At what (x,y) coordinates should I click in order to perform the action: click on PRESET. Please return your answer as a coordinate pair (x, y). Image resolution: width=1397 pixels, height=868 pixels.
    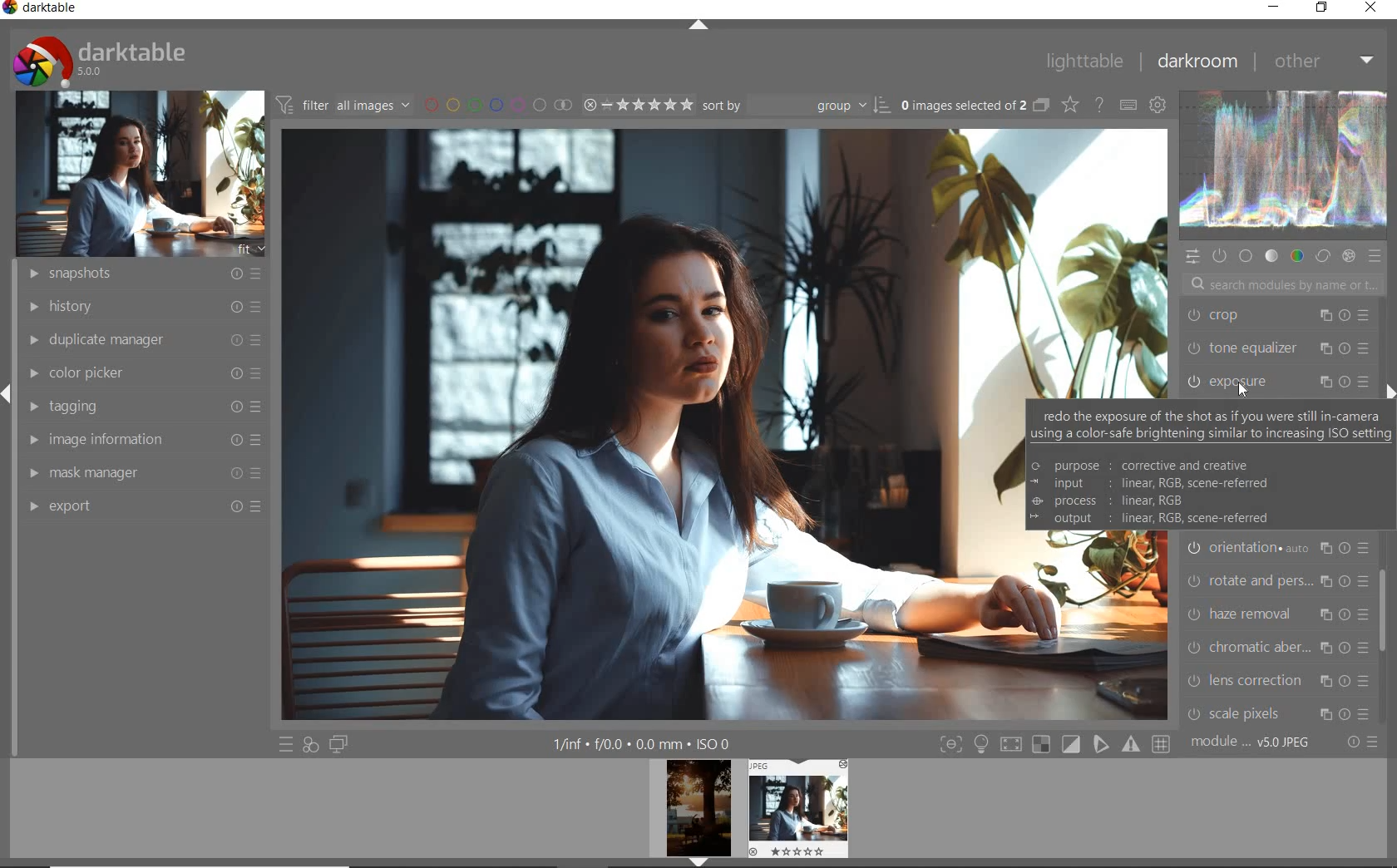
    Looking at the image, I should click on (1376, 257).